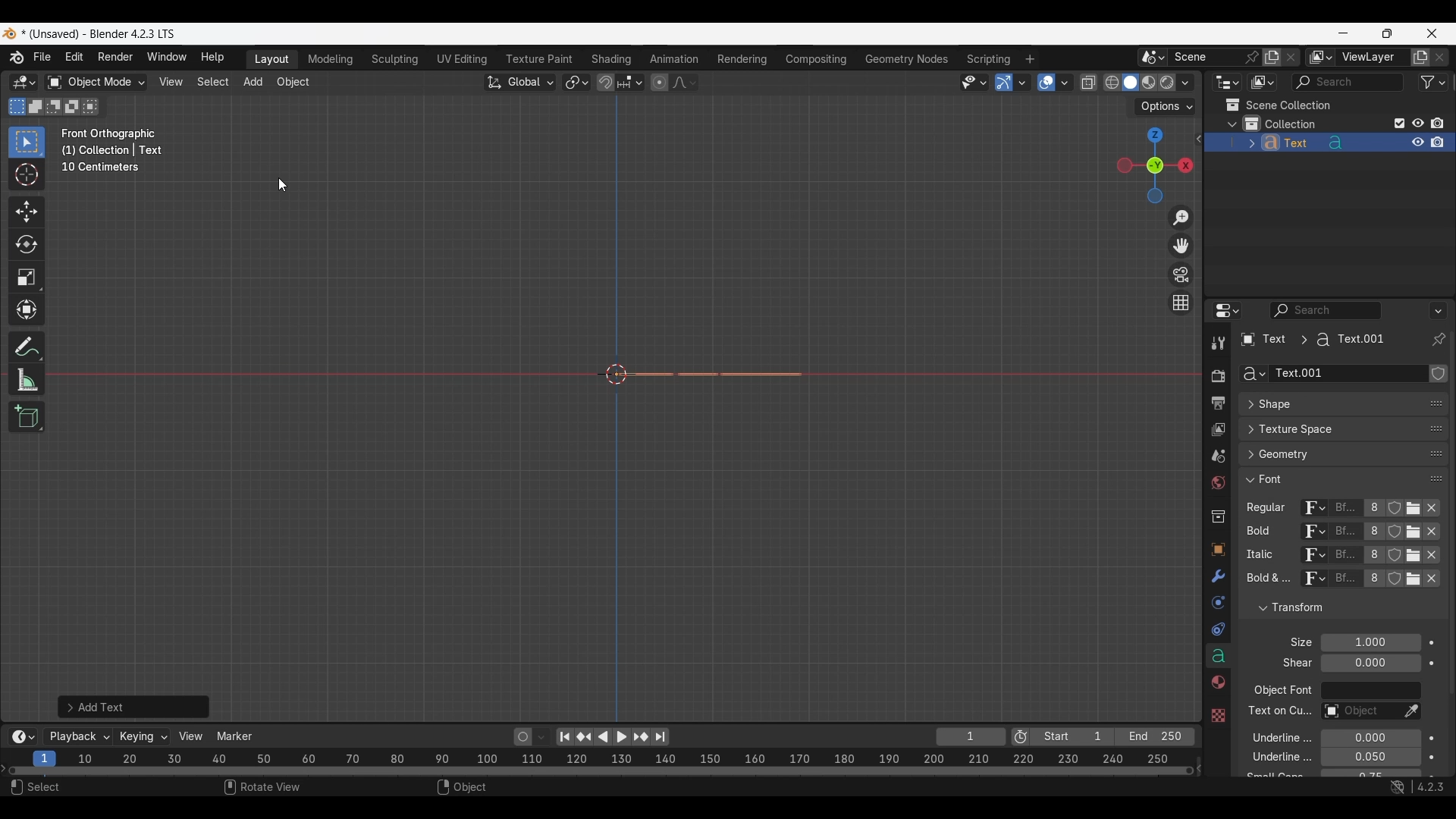 The height and width of the screenshot is (819, 1456). What do you see at coordinates (294, 83) in the screenshot?
I see `Object menu` at bounding box center [294, 83].